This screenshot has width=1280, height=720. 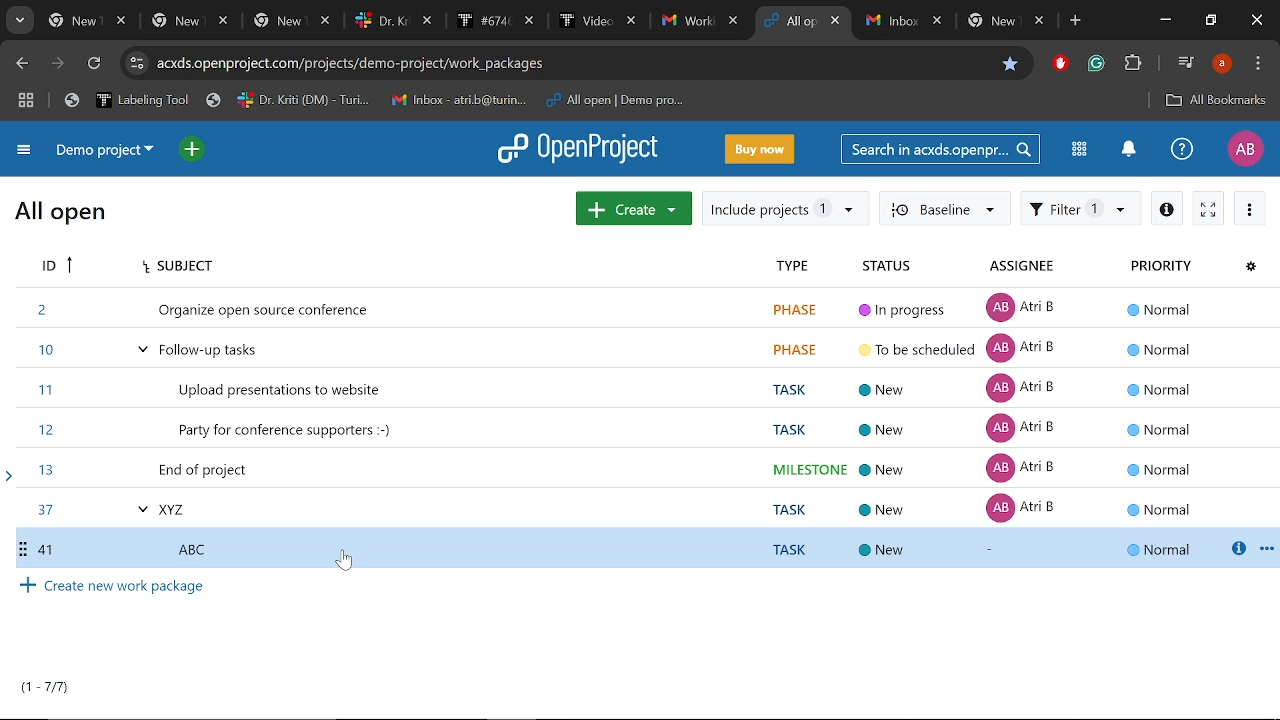 I want to click on Profile, so click(x=1242, y=150).